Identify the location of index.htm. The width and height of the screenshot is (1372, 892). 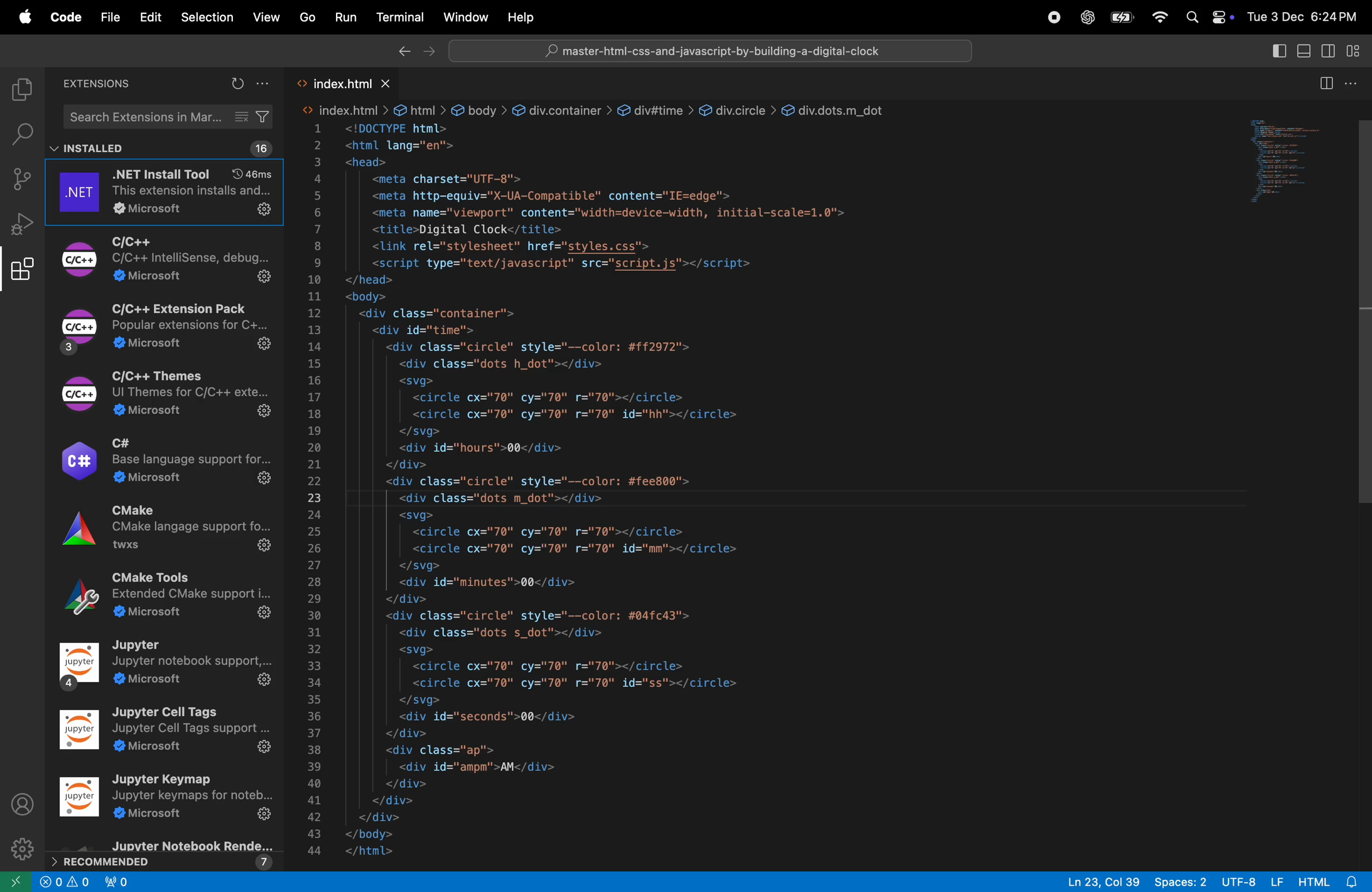
(350, 111).